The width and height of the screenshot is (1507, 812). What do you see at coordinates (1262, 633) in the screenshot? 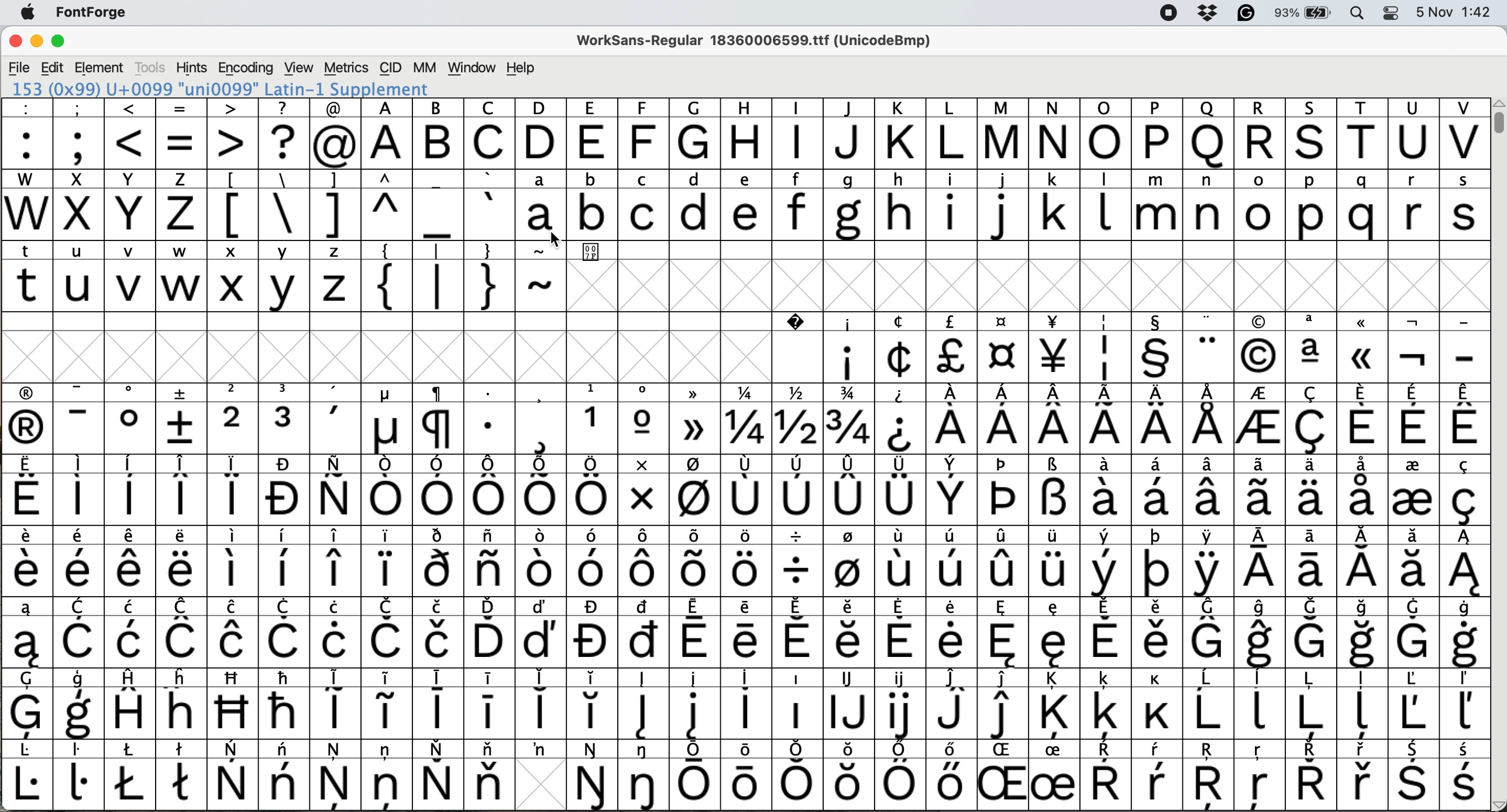
I see `symbol` at bounding box center [1262, 633].